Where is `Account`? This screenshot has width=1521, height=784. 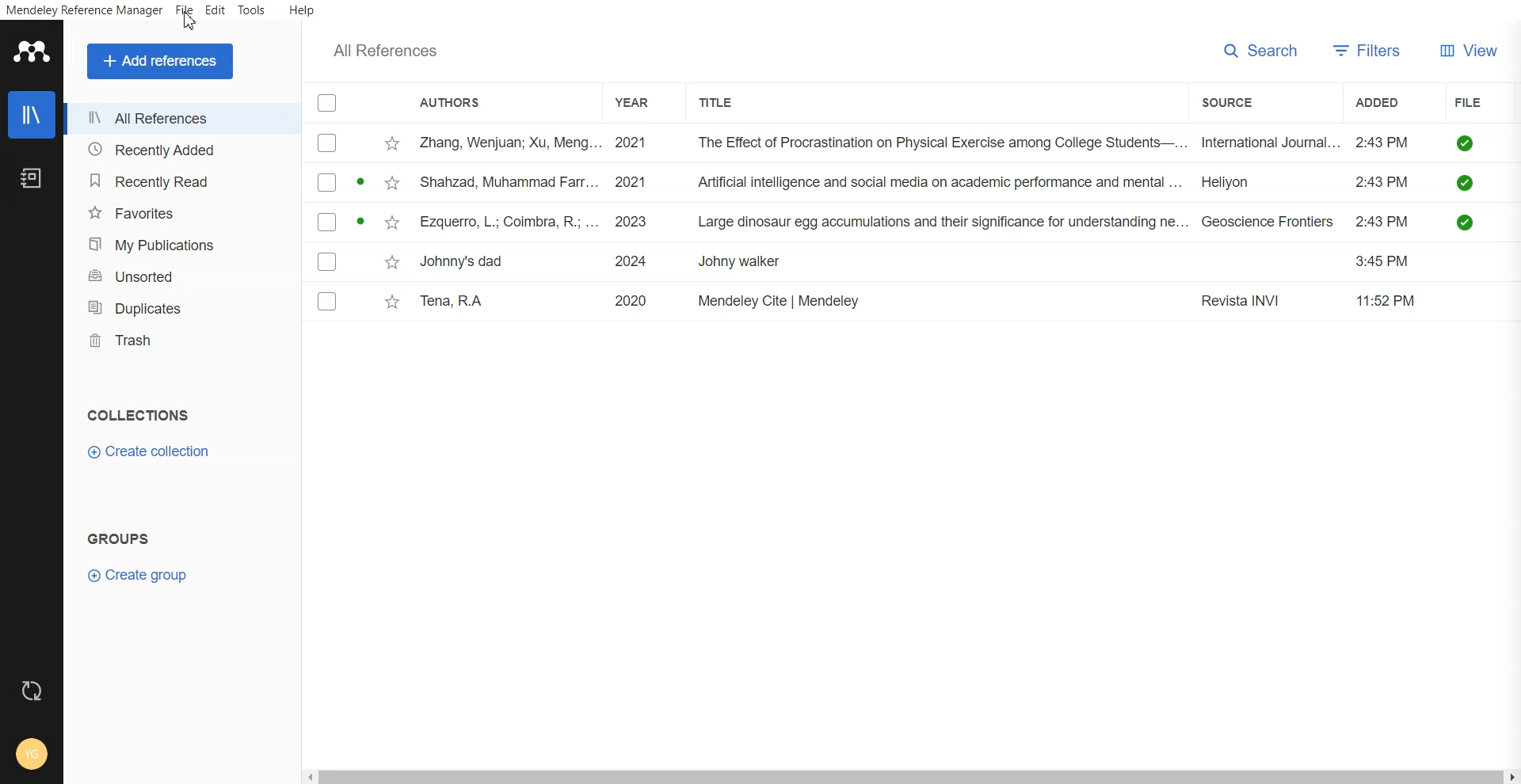 Account is located at coordinates (32, 756).